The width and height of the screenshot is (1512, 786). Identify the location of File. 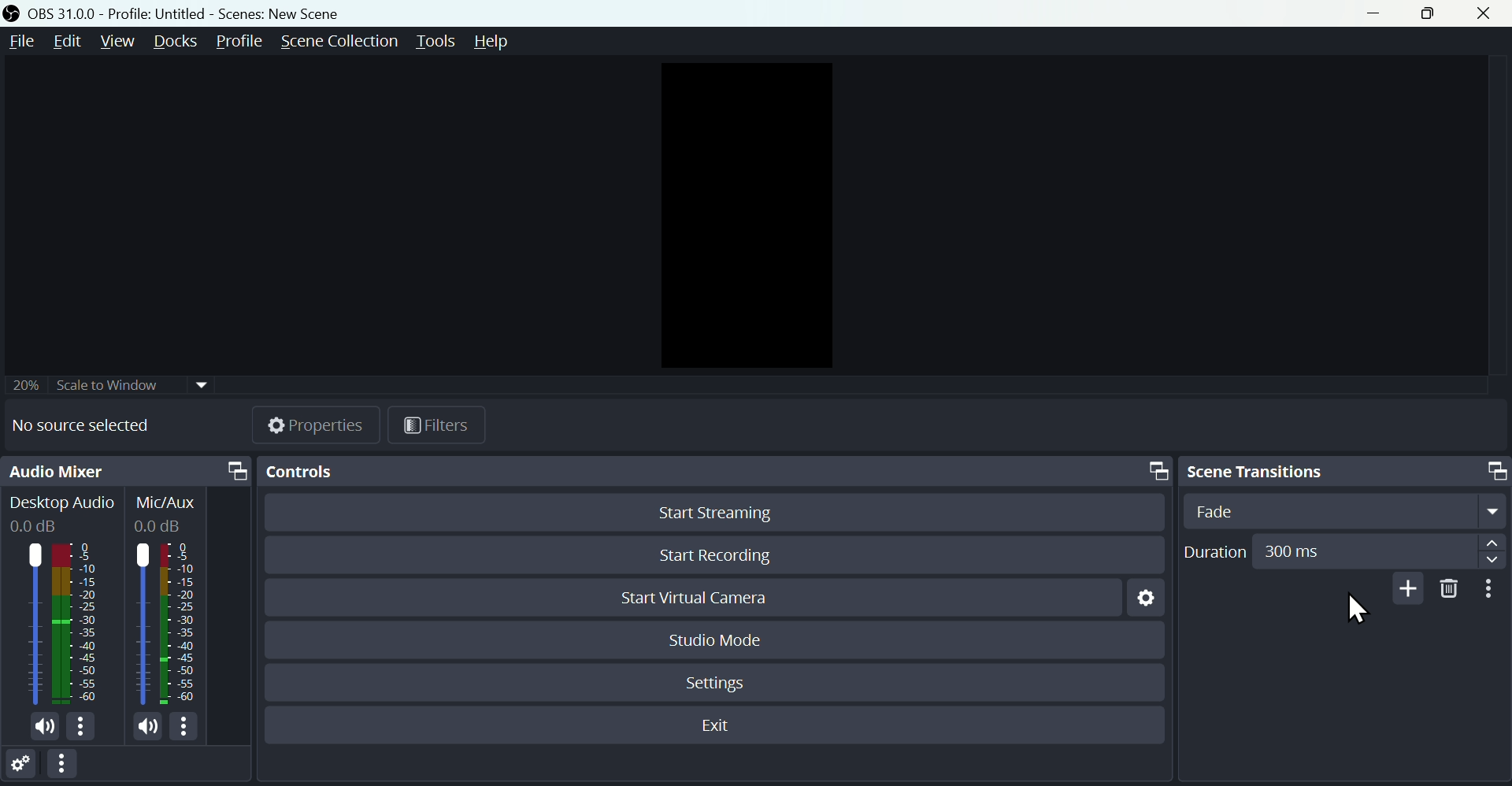
(20, 42).